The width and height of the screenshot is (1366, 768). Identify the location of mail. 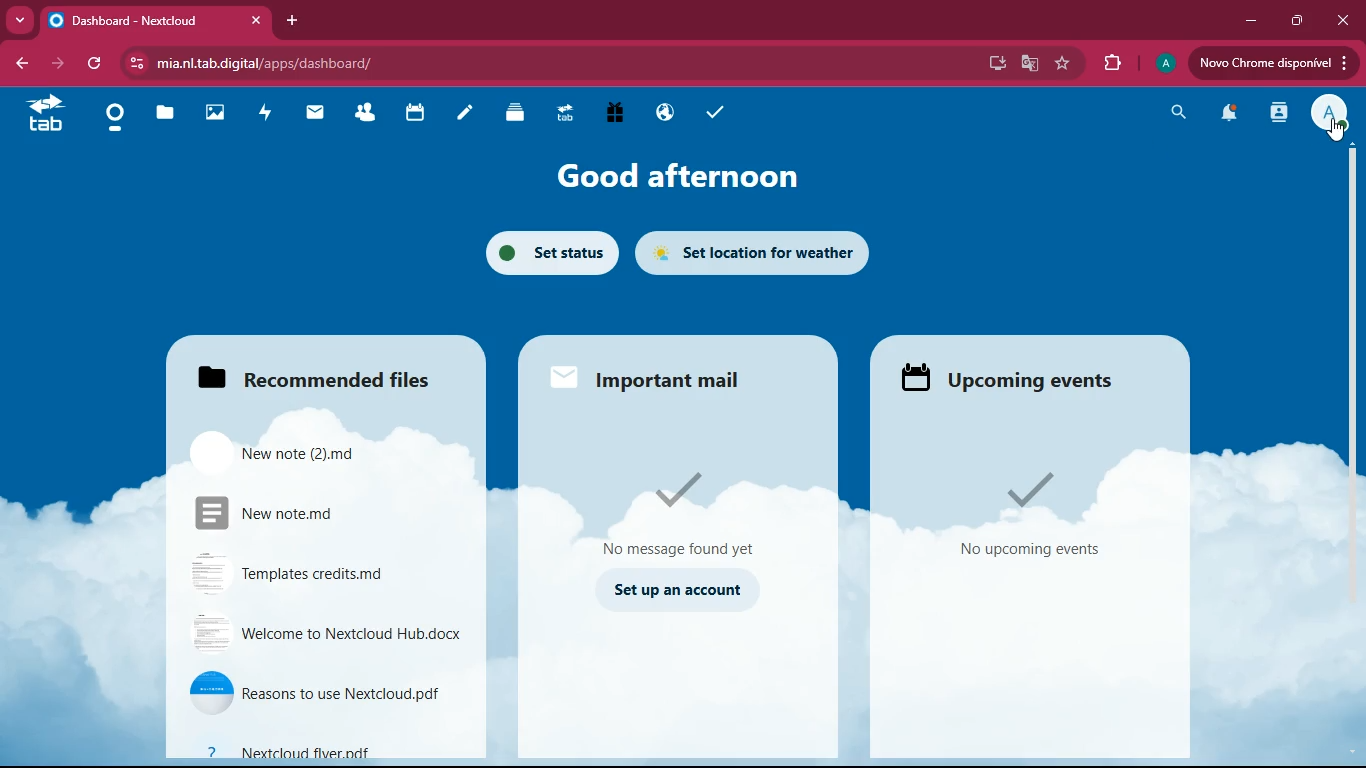
(315, 112).